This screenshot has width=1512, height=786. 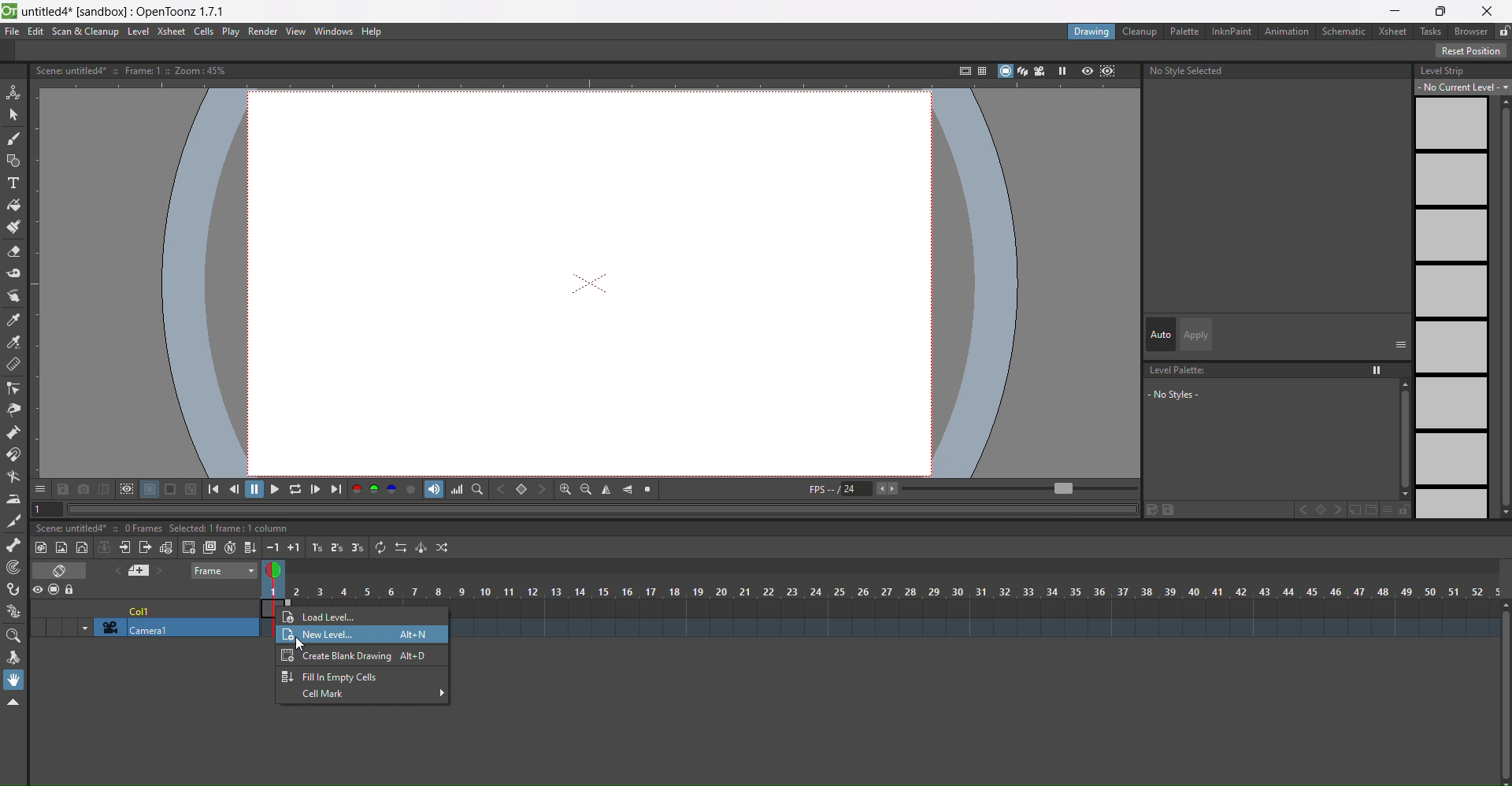 I want to click on set key, so click(x=1320, y=510).